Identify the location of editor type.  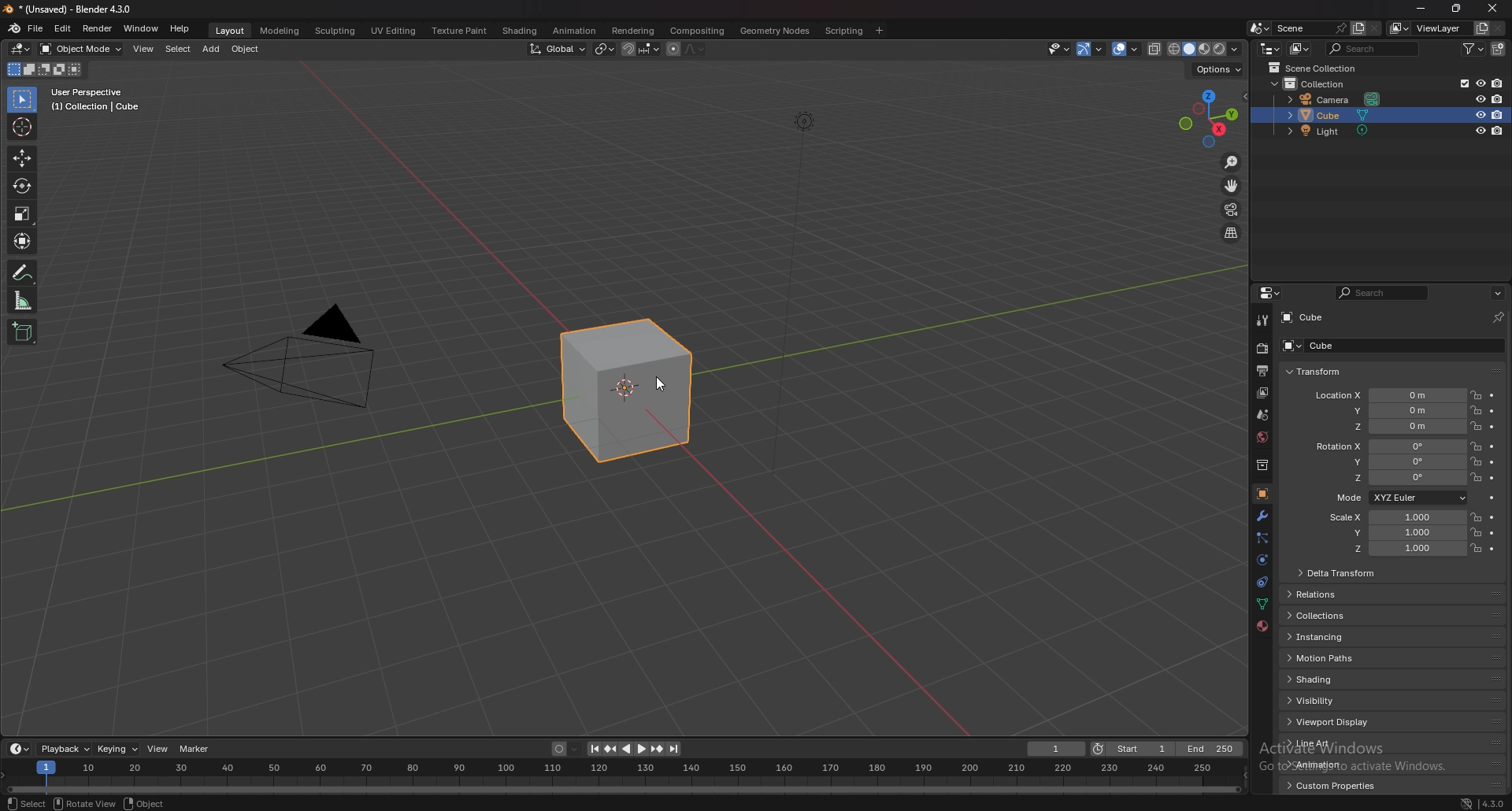
(21, 50).